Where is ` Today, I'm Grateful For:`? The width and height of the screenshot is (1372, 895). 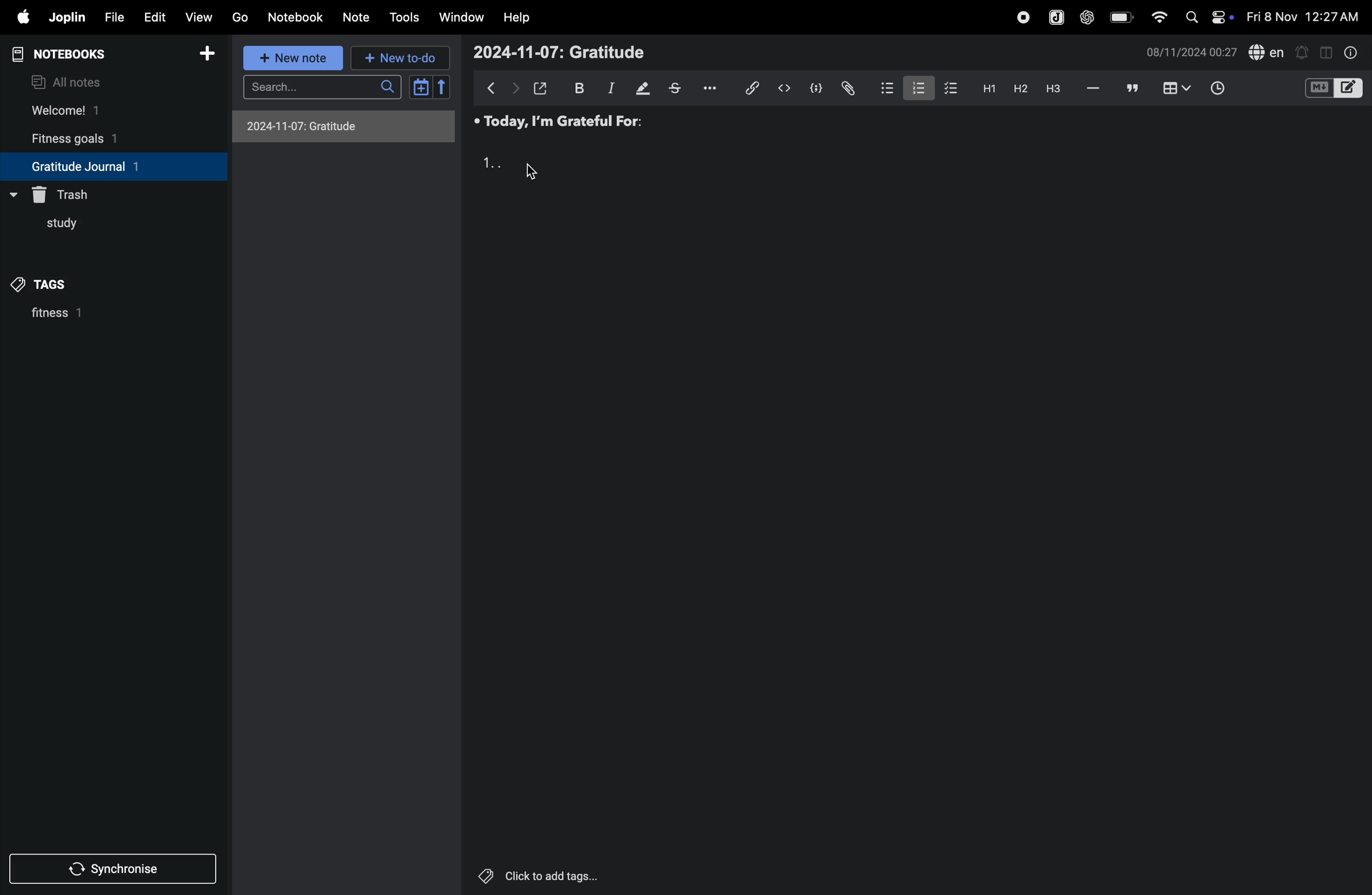  Today, I'm Grateful For: is located at coordinates (559, 123).